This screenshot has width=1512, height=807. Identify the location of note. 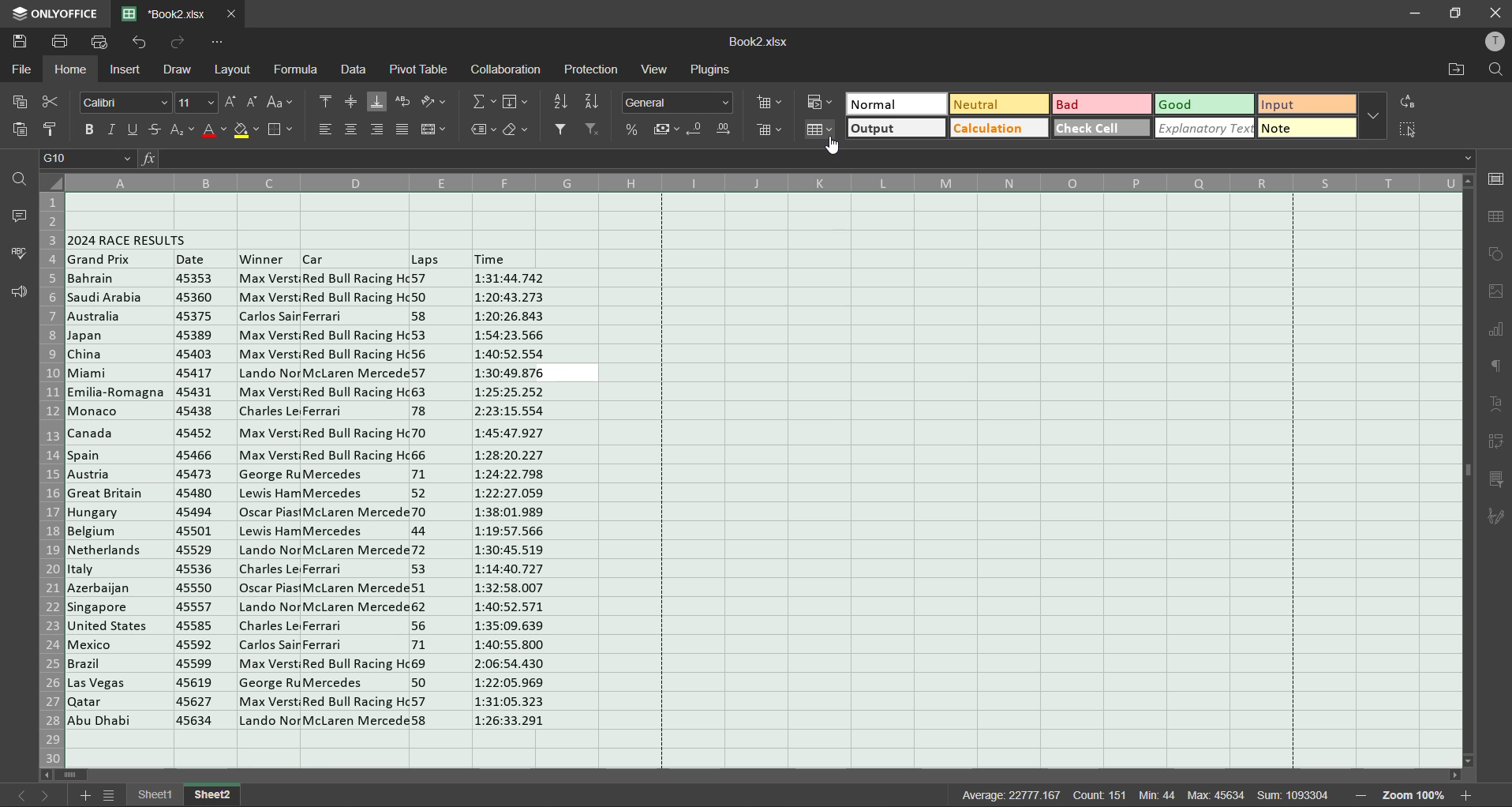
(1308, 128).